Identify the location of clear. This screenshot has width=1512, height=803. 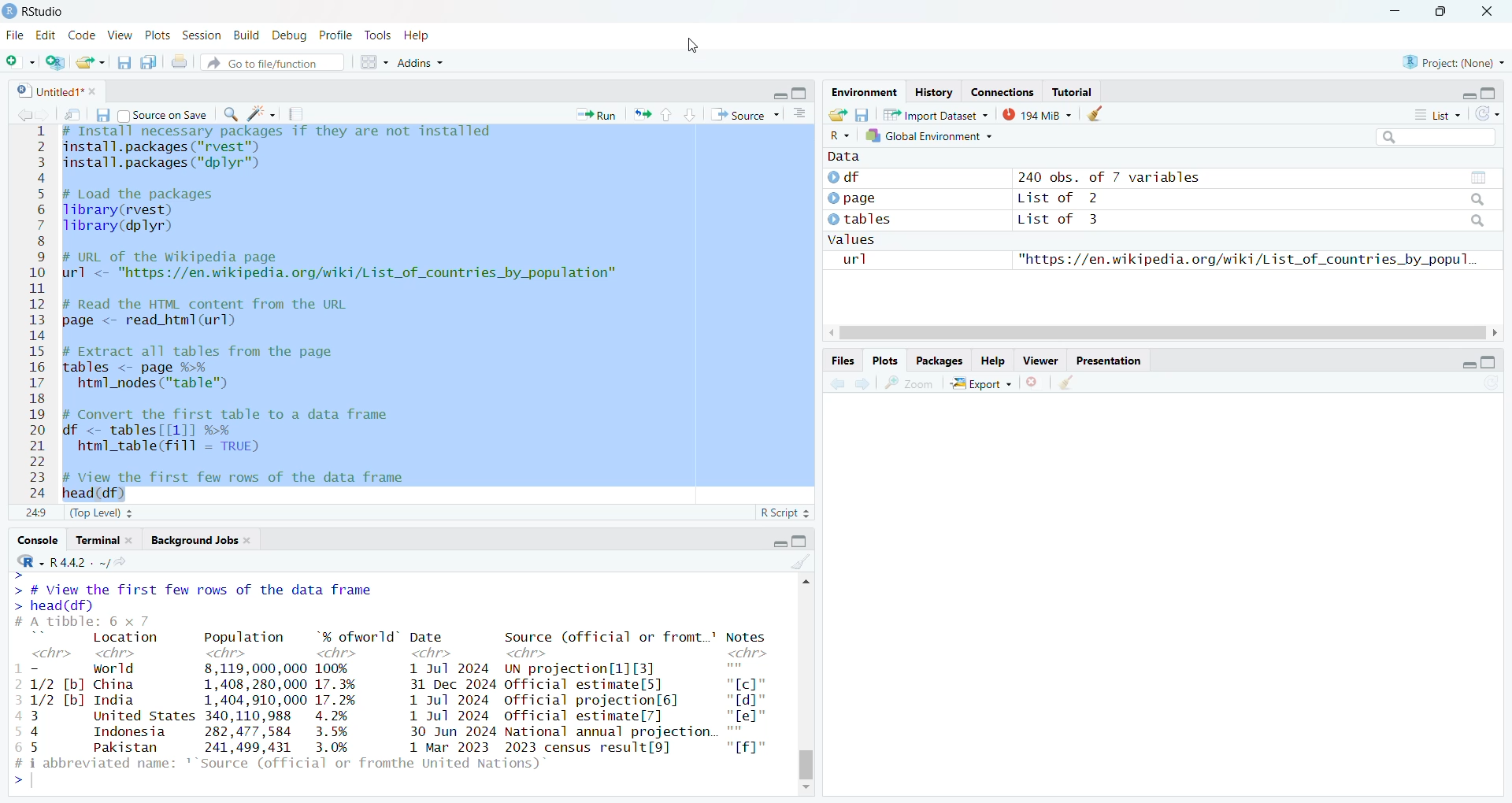
(801, 561).